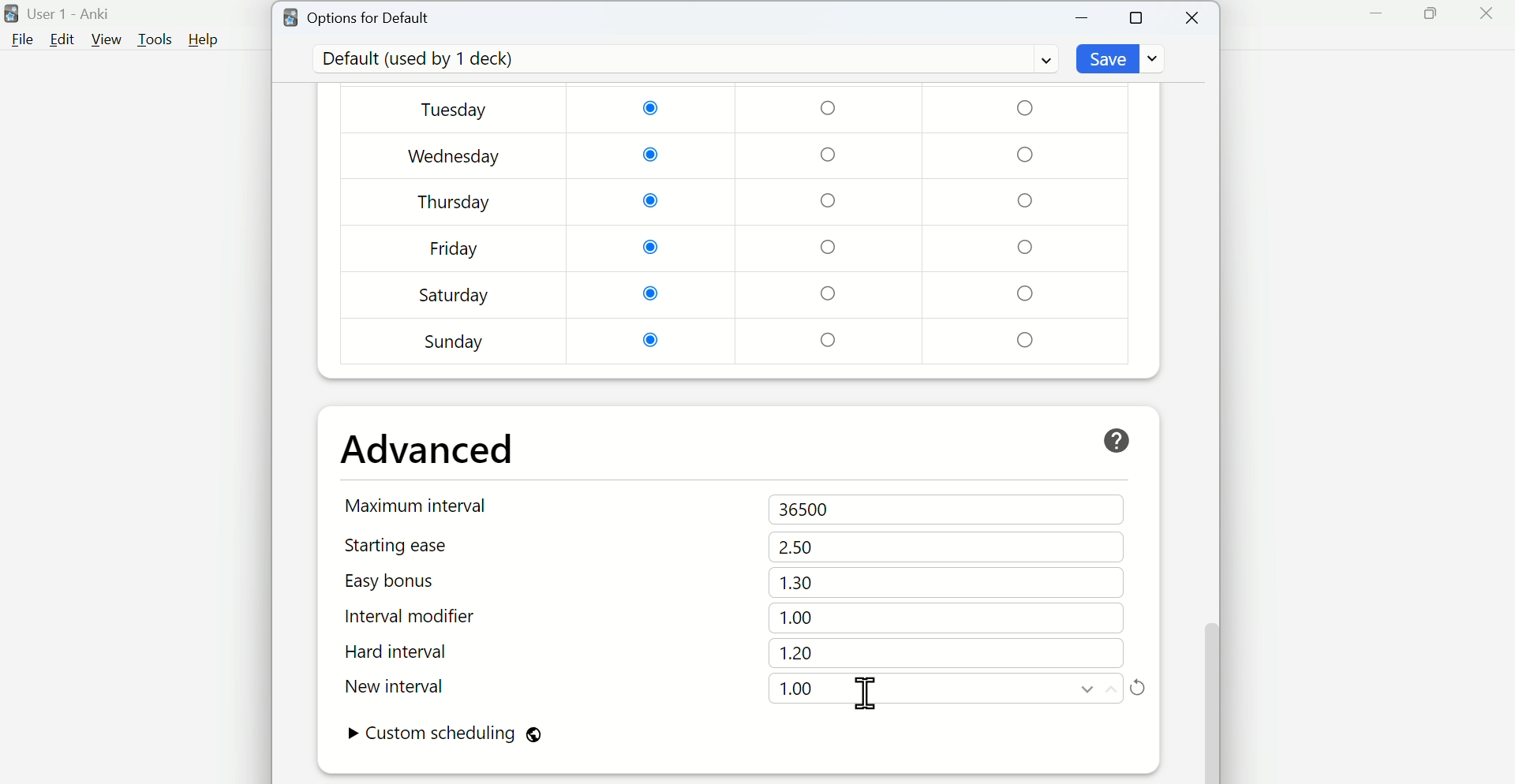 This screenshot has width=1515, height=784. I want to click on Checkboxes, so click(832, 225).